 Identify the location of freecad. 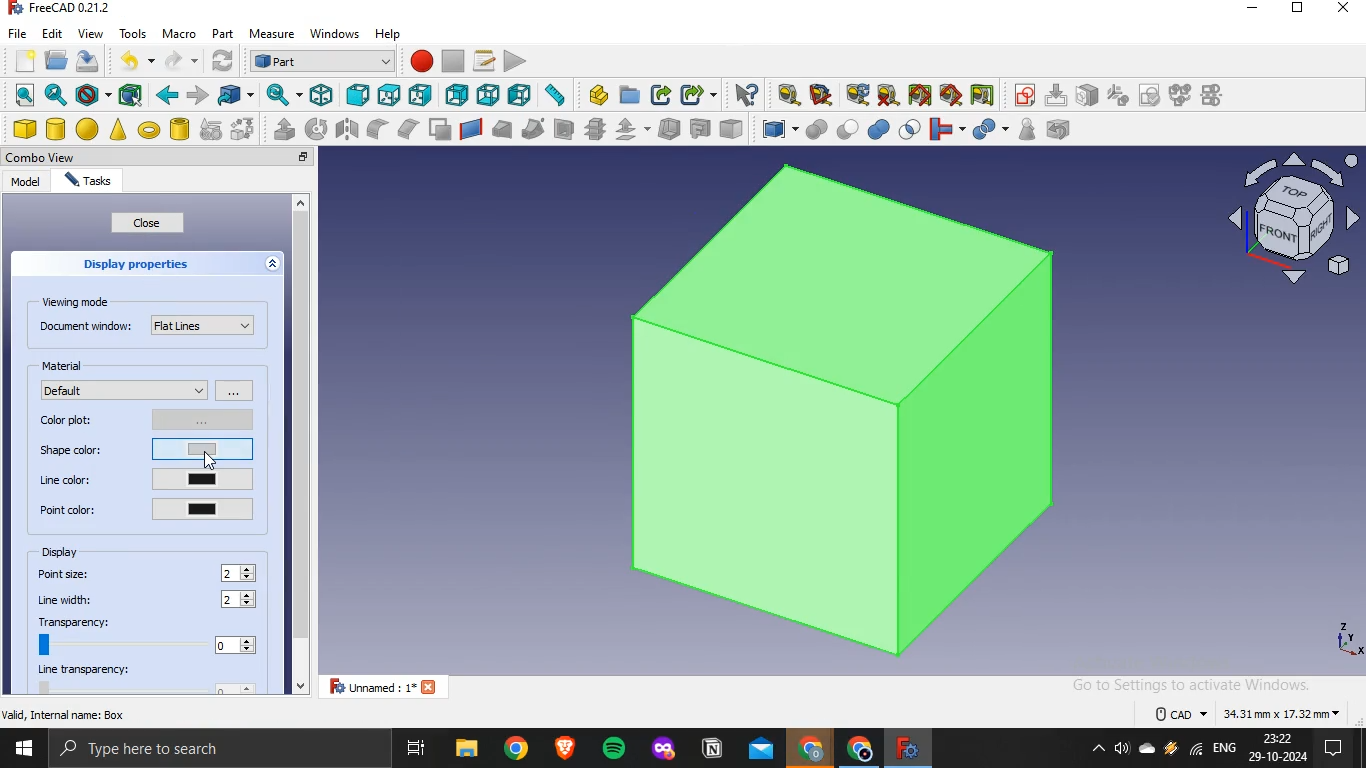
(905, 748).